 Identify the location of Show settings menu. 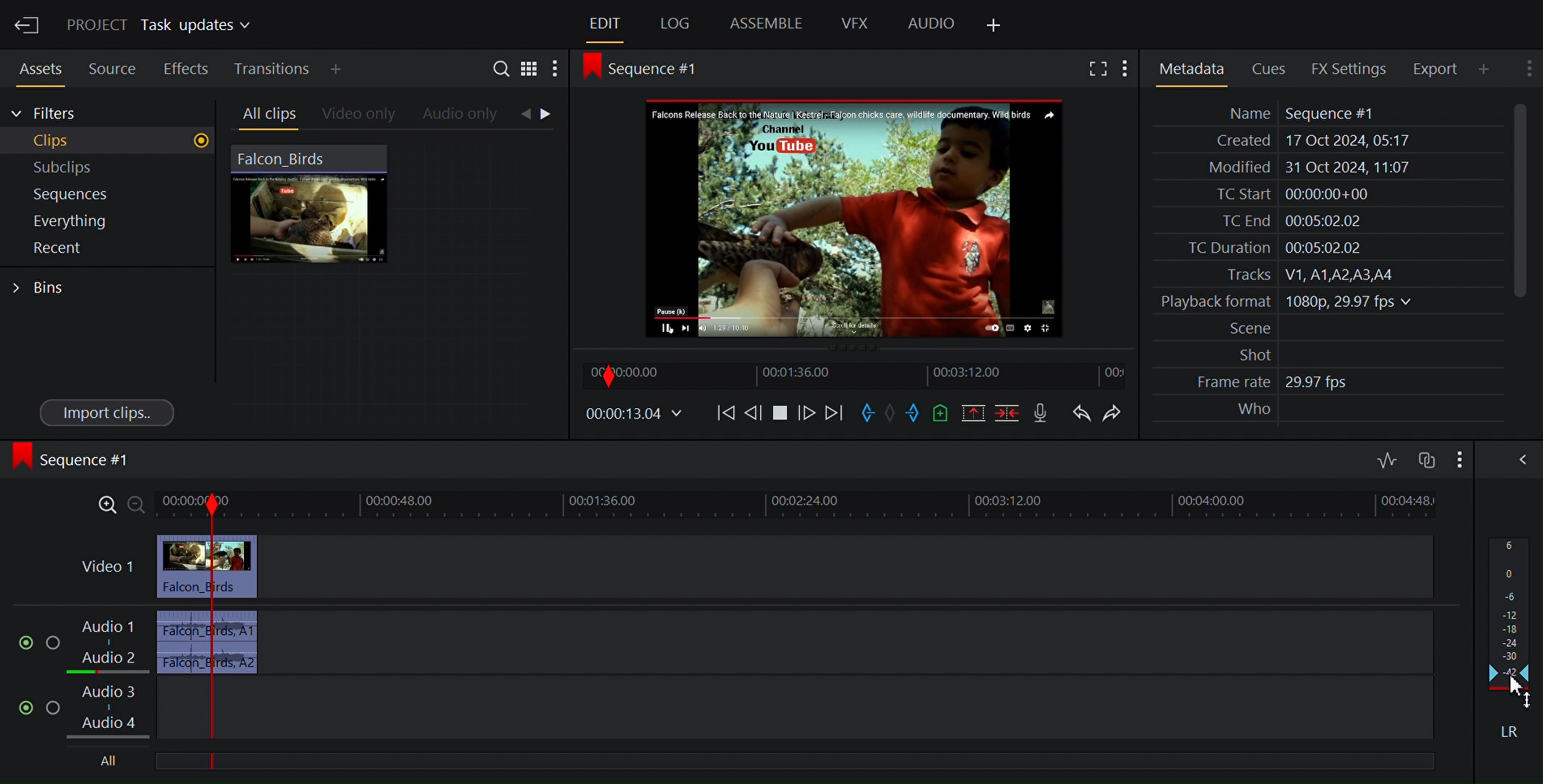
(557, 67).